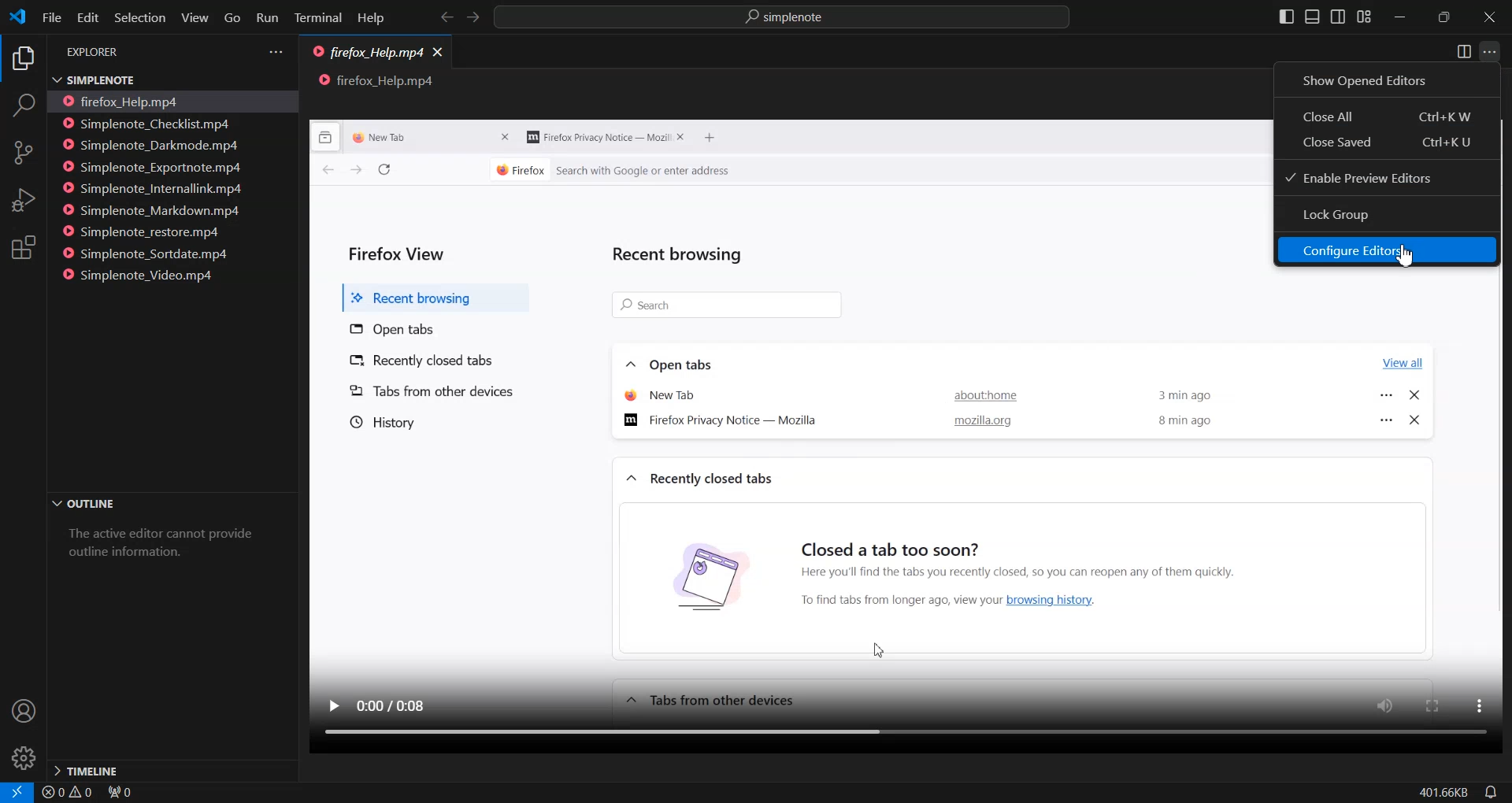  I want to click on close, so click(684, 138).